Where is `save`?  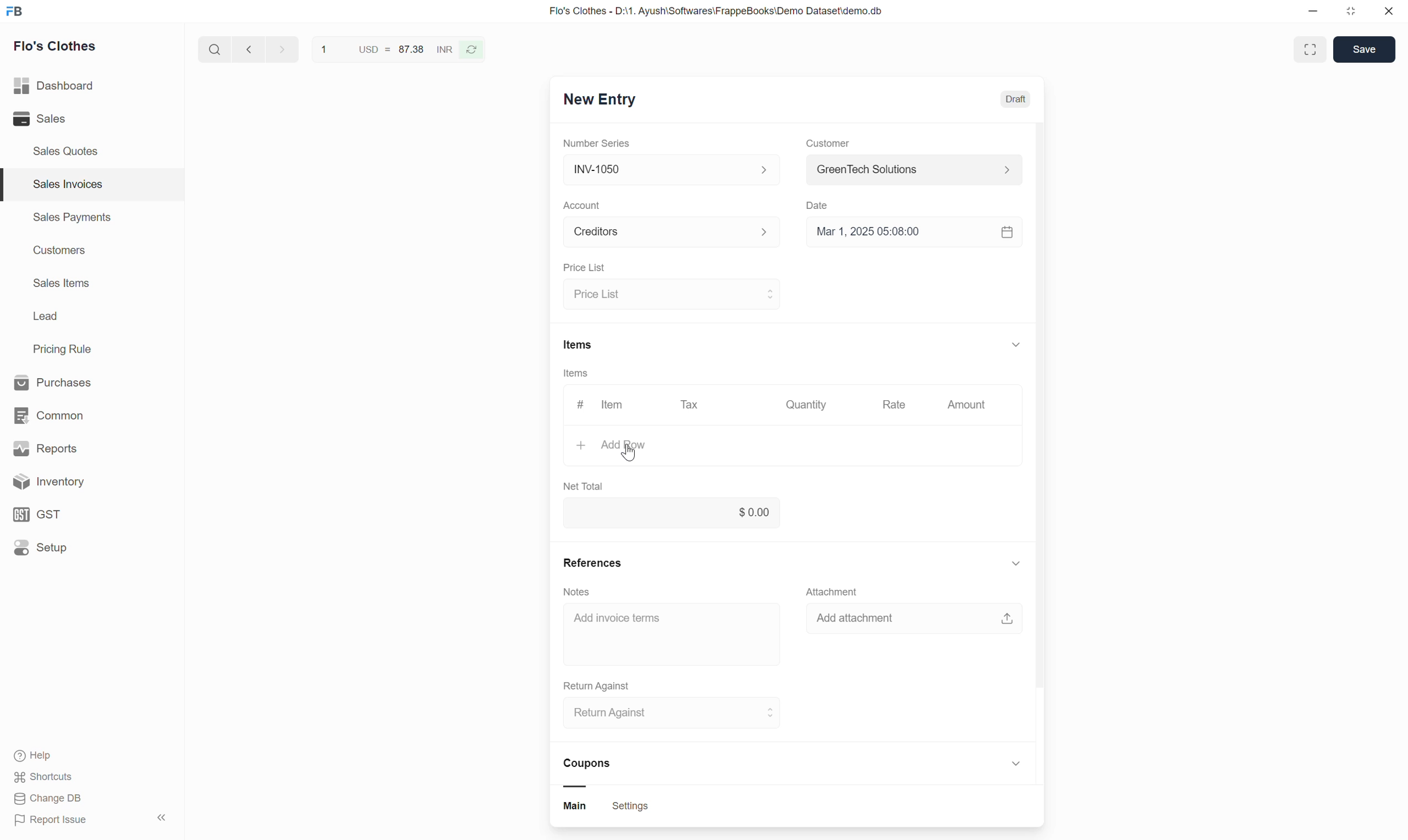
save is located at coordinates (1363, 50).